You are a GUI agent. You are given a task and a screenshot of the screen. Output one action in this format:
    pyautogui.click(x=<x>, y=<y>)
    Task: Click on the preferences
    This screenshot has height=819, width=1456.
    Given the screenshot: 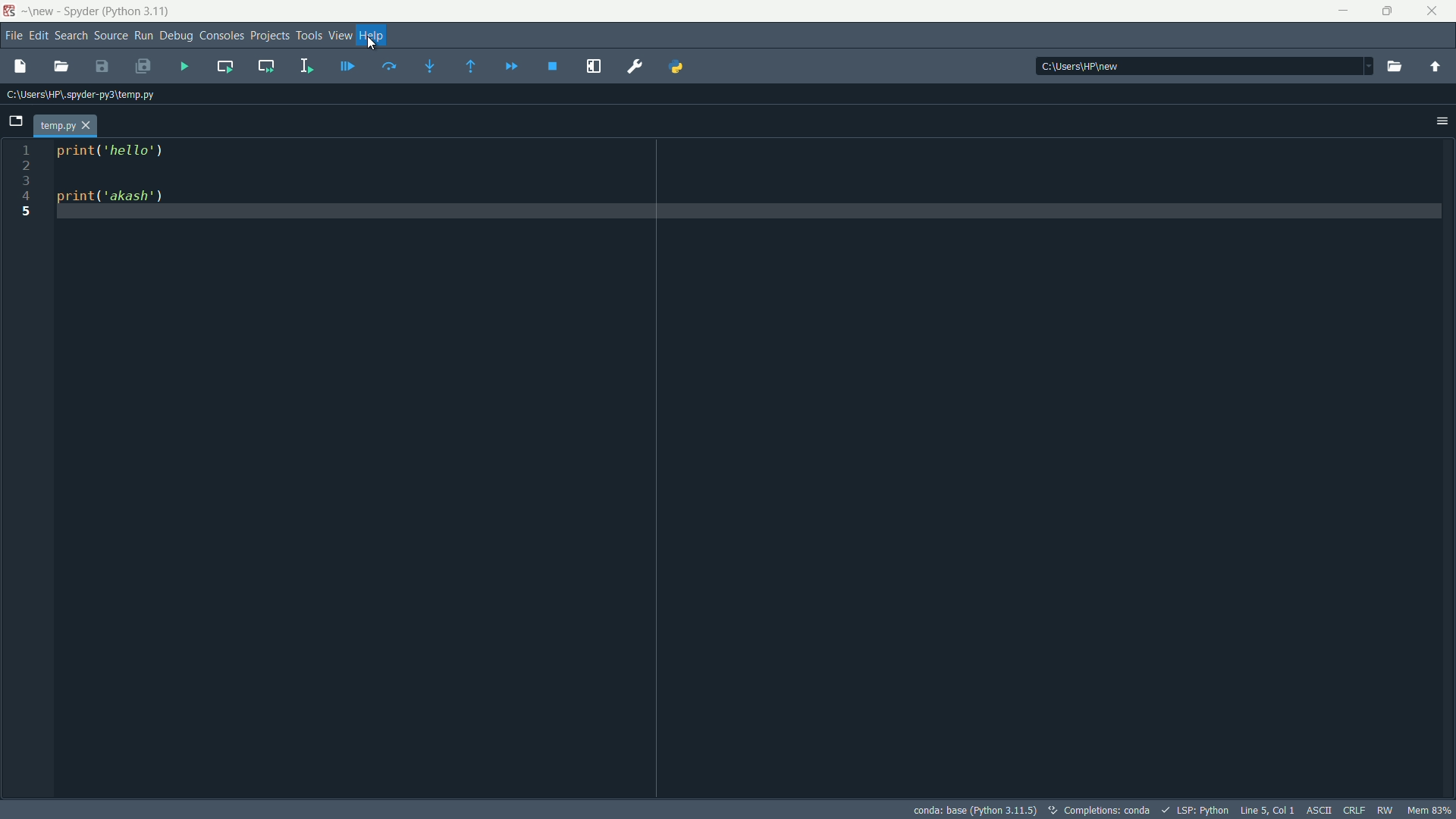 What is the action you would take?
    pyautogui.click(x=635, y=65)
    